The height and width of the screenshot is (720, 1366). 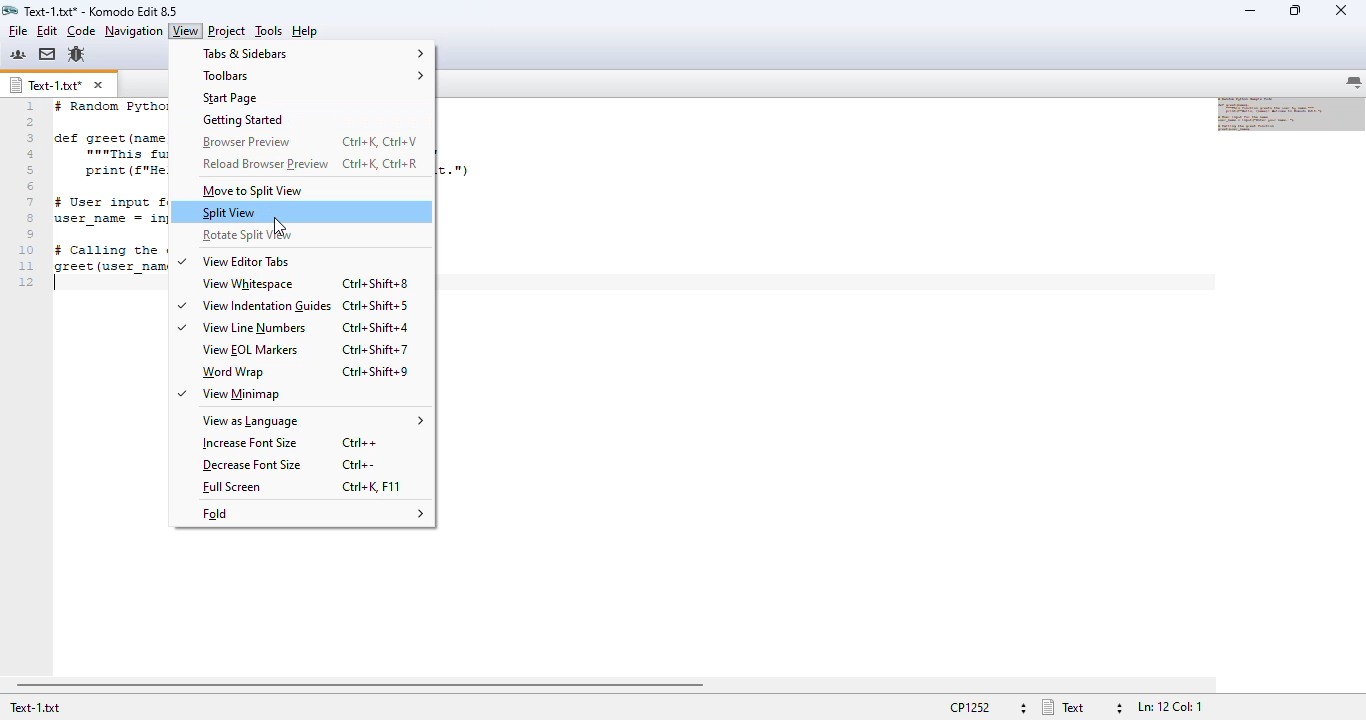 What do you see at coordinates (81, 31) in the screenshot?
I see `code` at bounding box center [81, 31].